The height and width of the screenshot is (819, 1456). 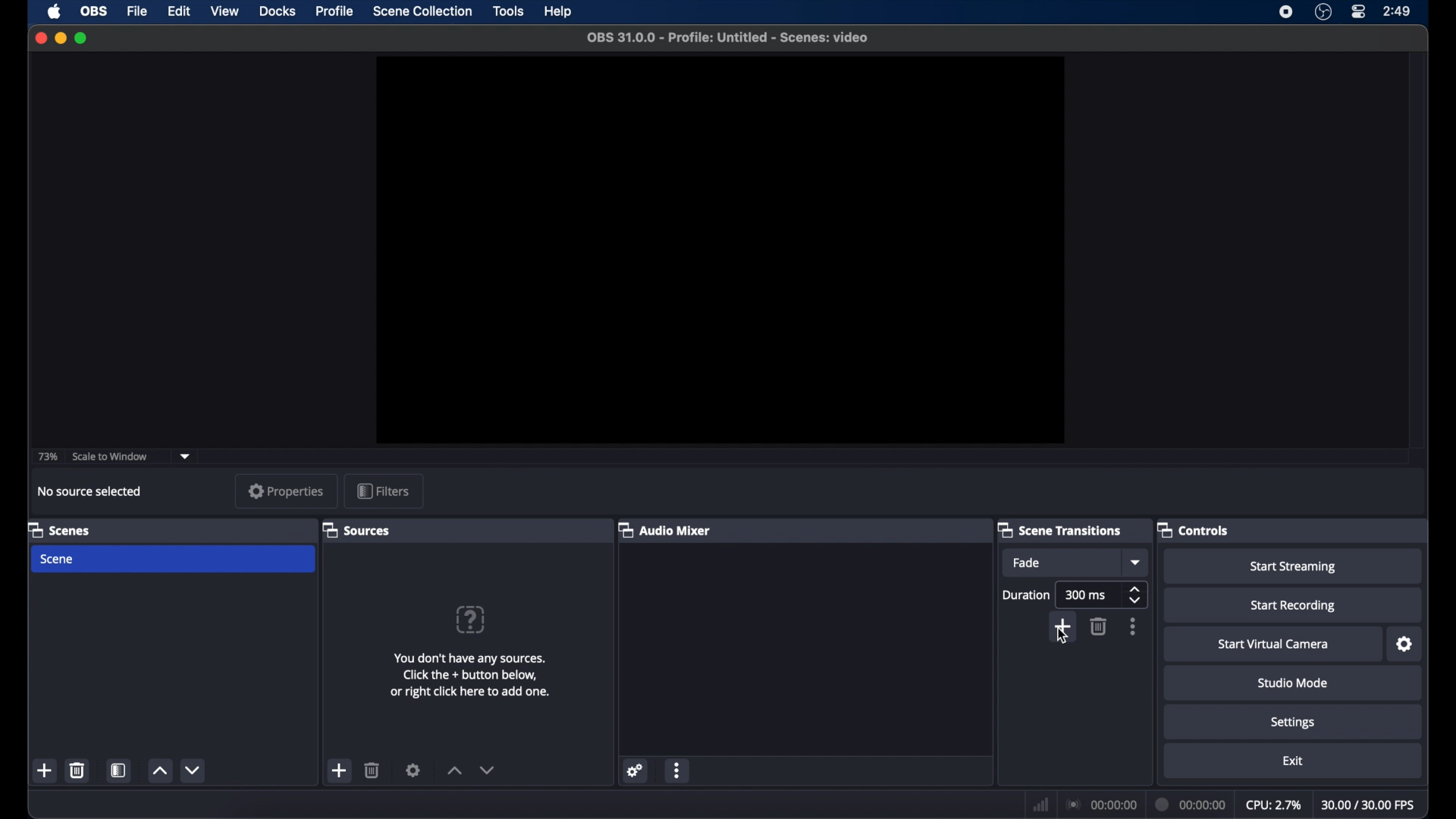 I want to click on settings, so click(x=1294, y=723).